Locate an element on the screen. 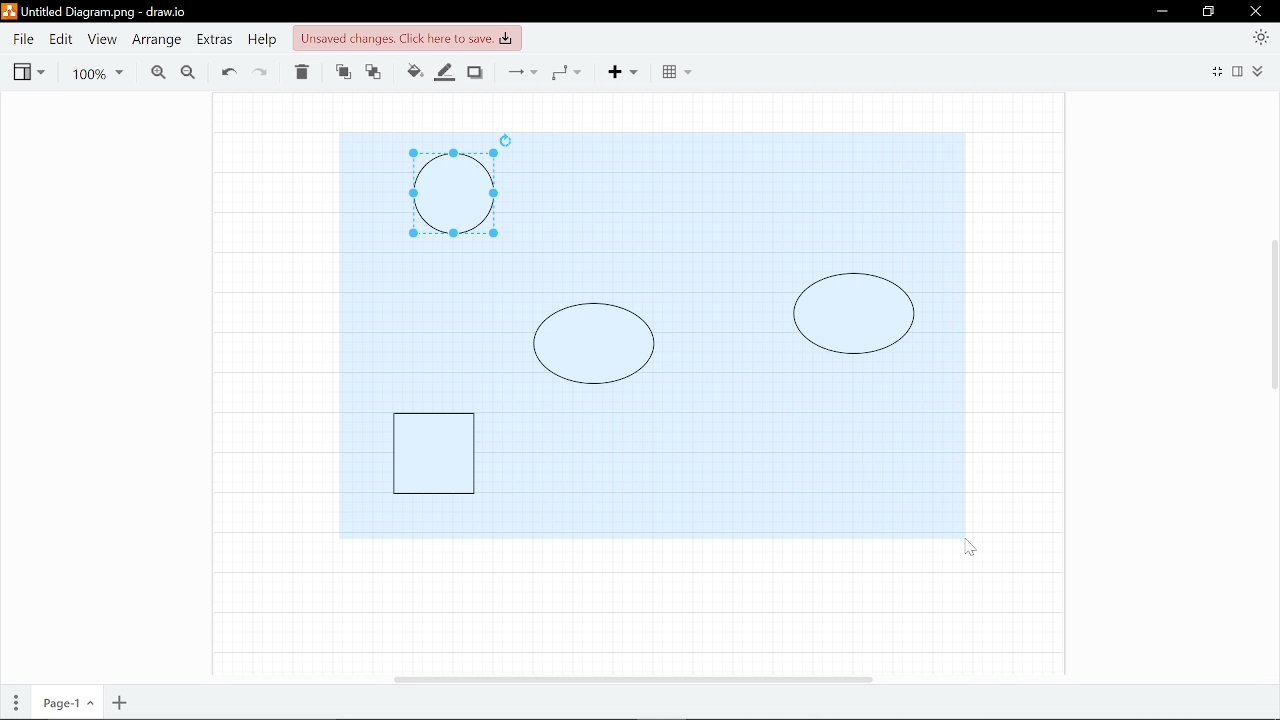  Current zoom is located at coordinates (100, 71).